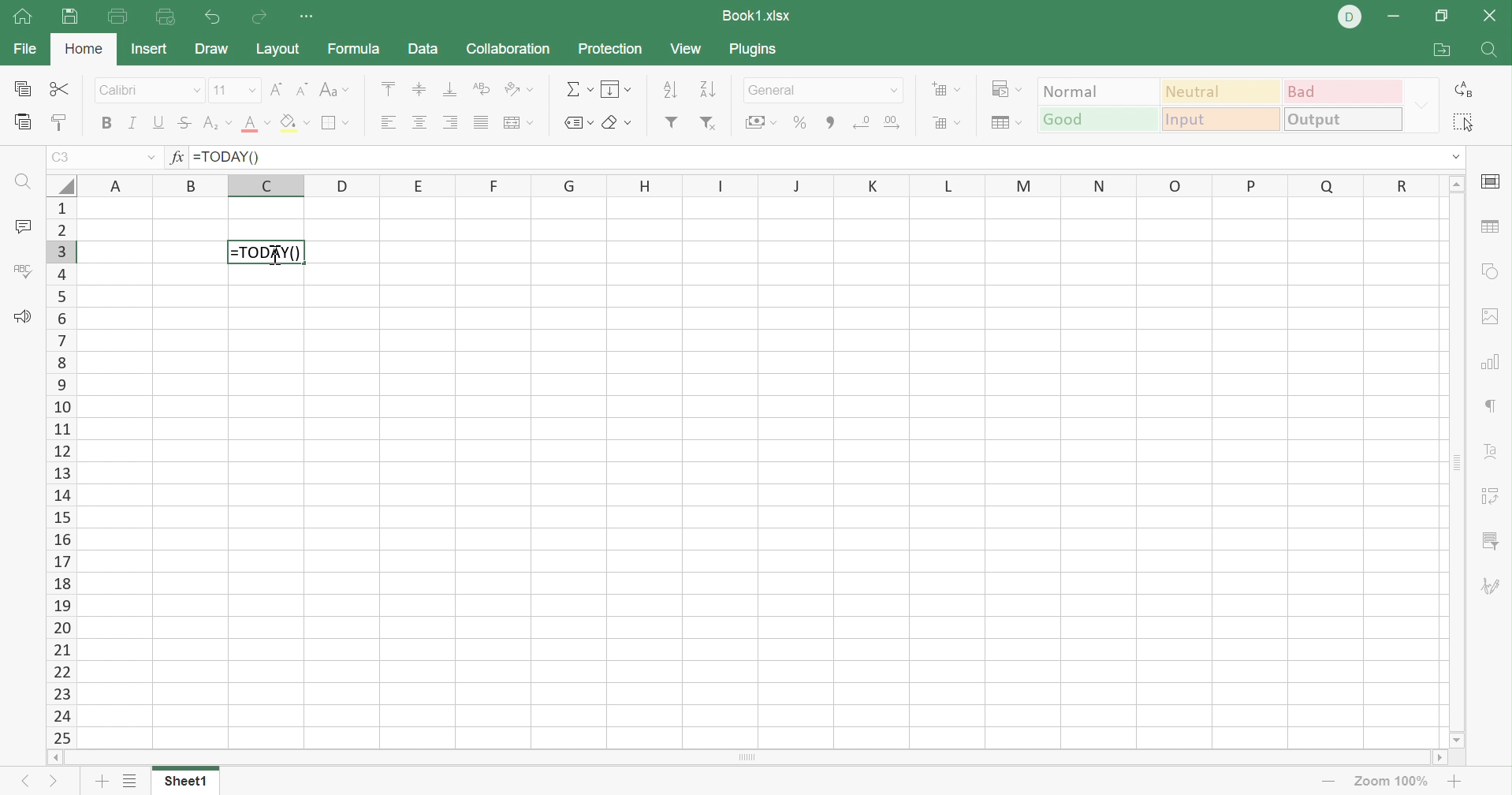 This screenshot has width=1512, height=795. Describe the element at coordinates (1494, 181) in the screenshot. I see `cell settings` at that location.